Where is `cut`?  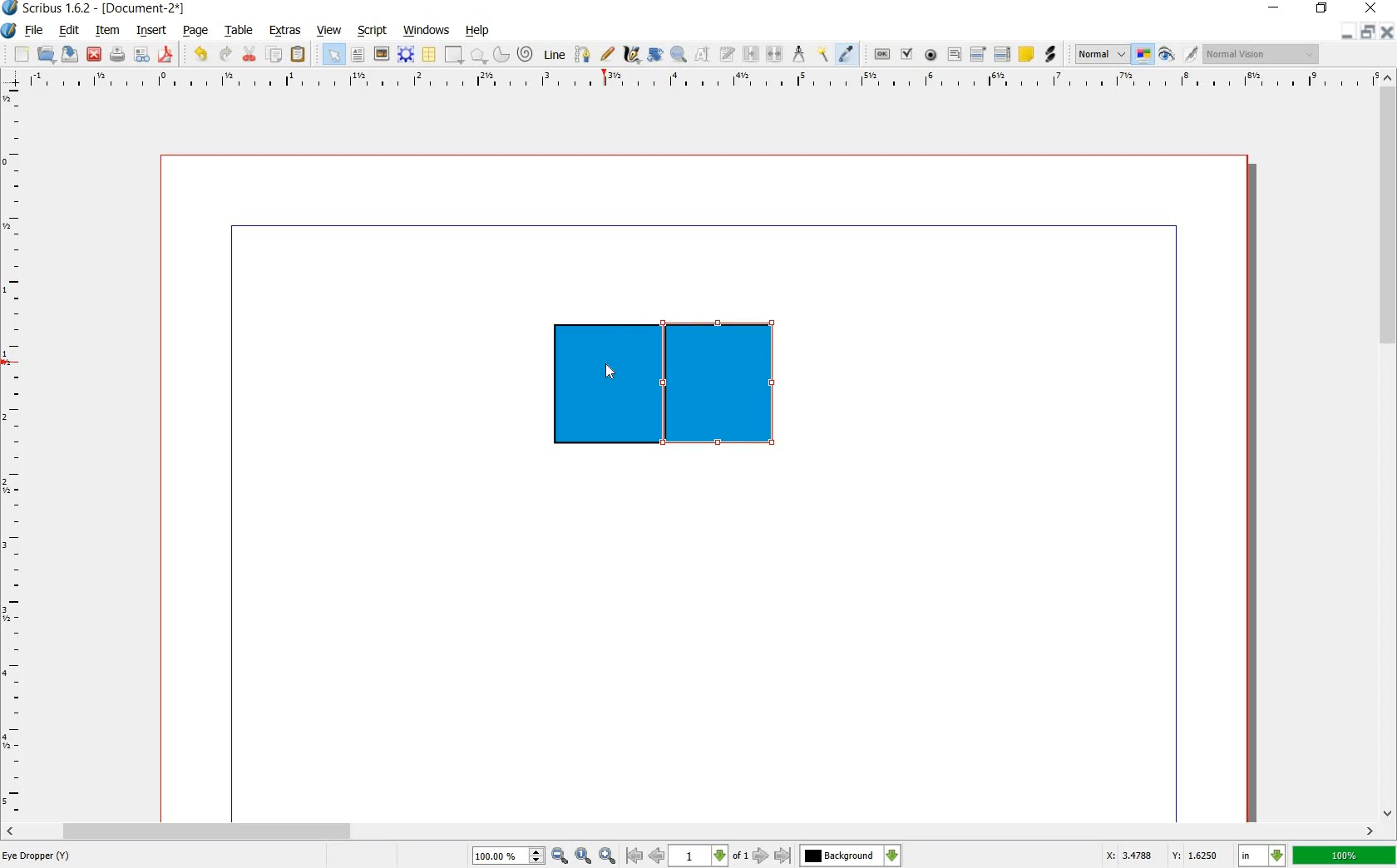 cut is located at coordinates (249, 53).